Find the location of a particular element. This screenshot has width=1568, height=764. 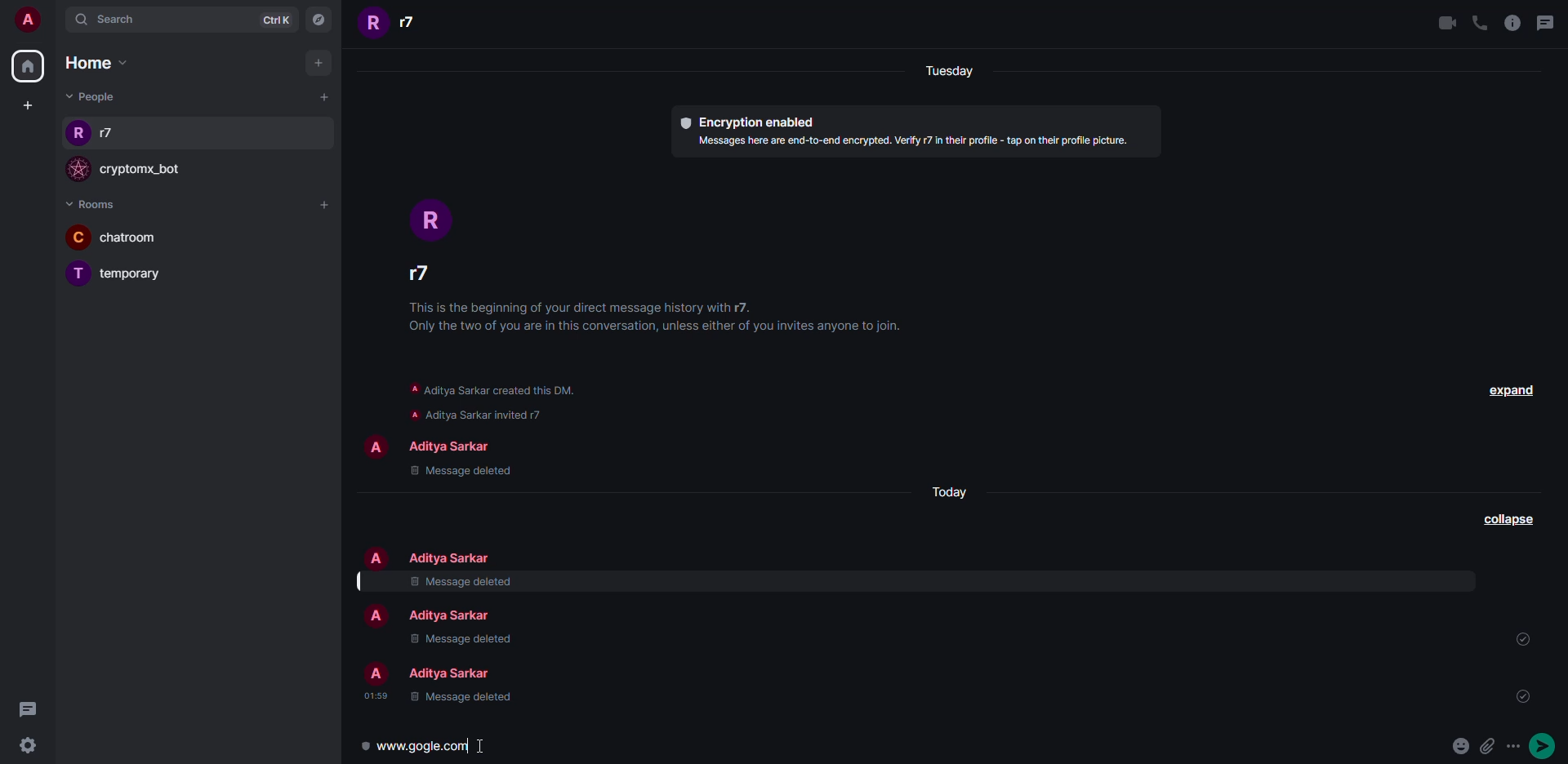

threads is located at coordinates (1547, 20).